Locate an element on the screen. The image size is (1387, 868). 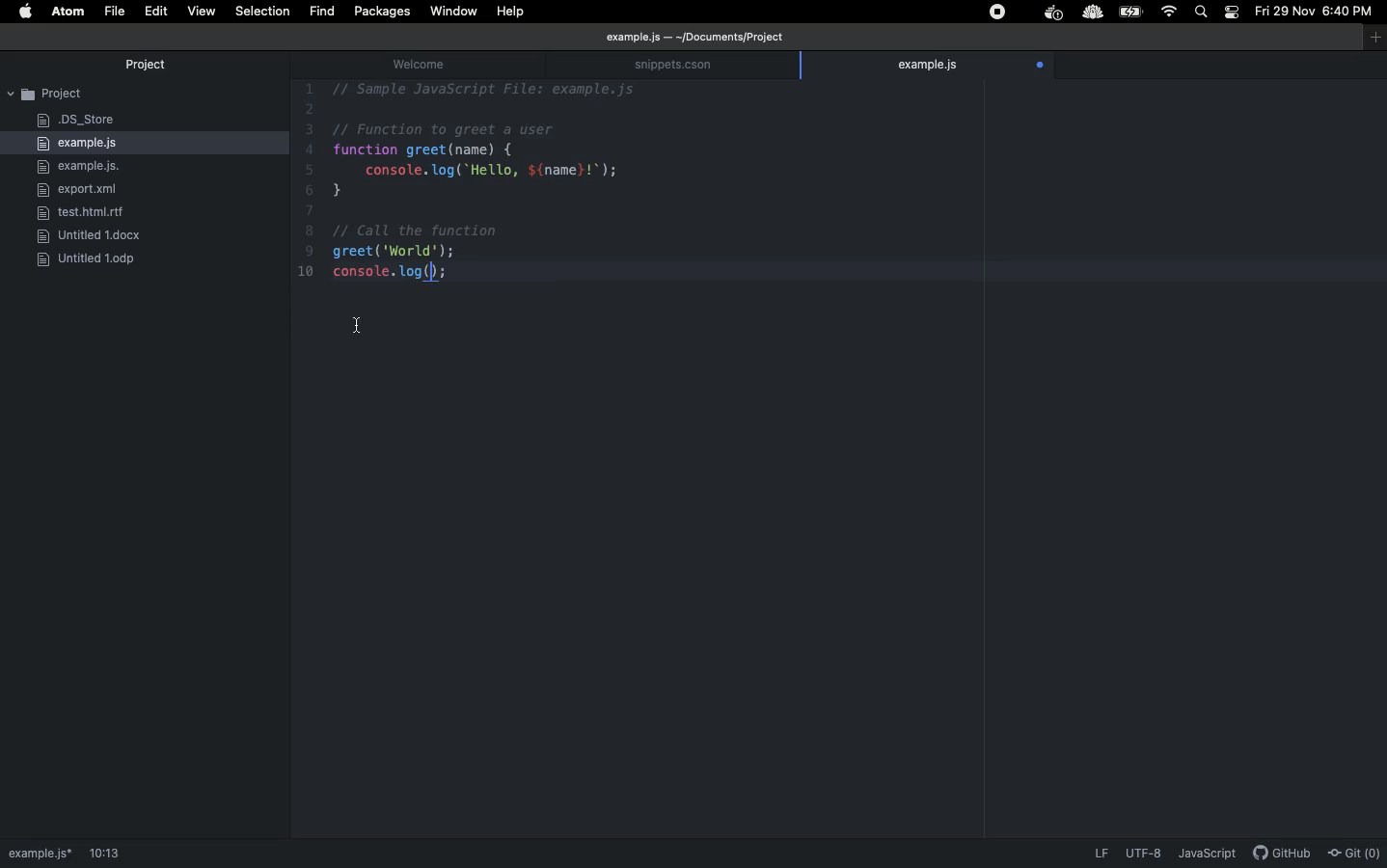
JavaScript is located at coordinates (1210, 855).